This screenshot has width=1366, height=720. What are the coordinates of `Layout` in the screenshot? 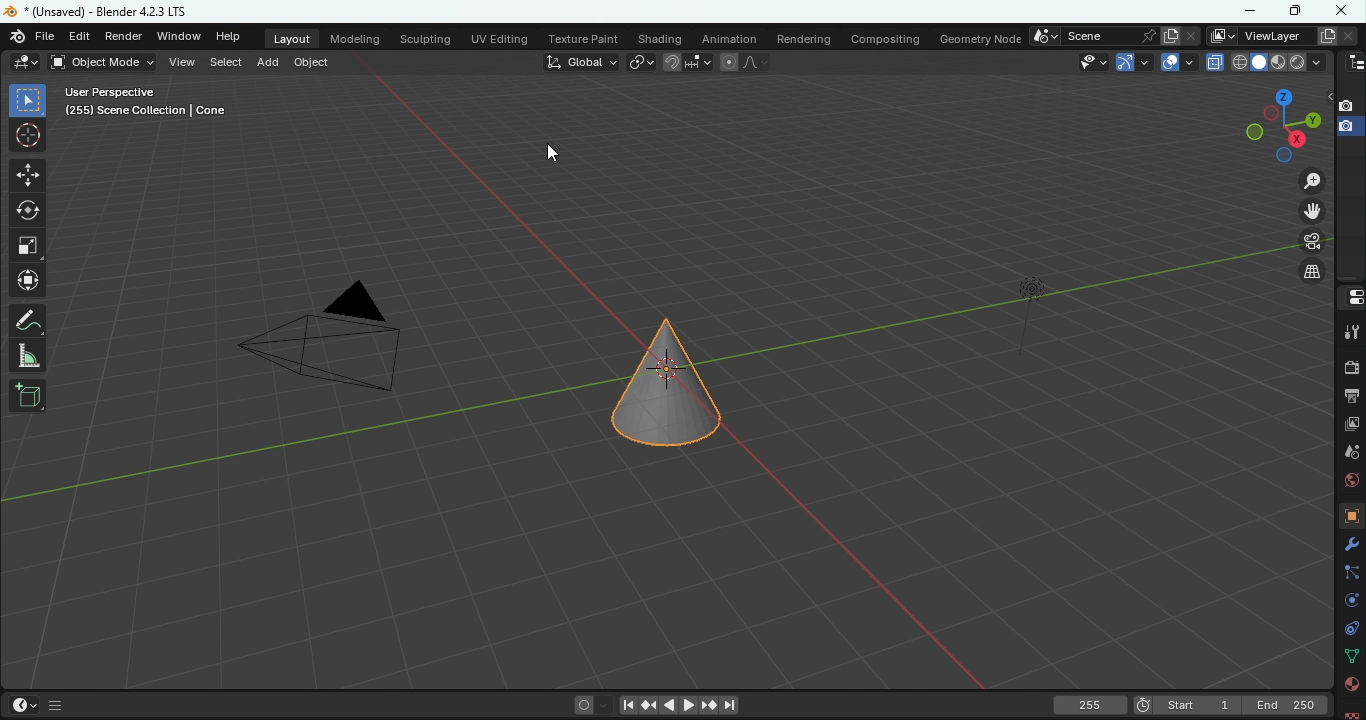 It's located at (292, 39).